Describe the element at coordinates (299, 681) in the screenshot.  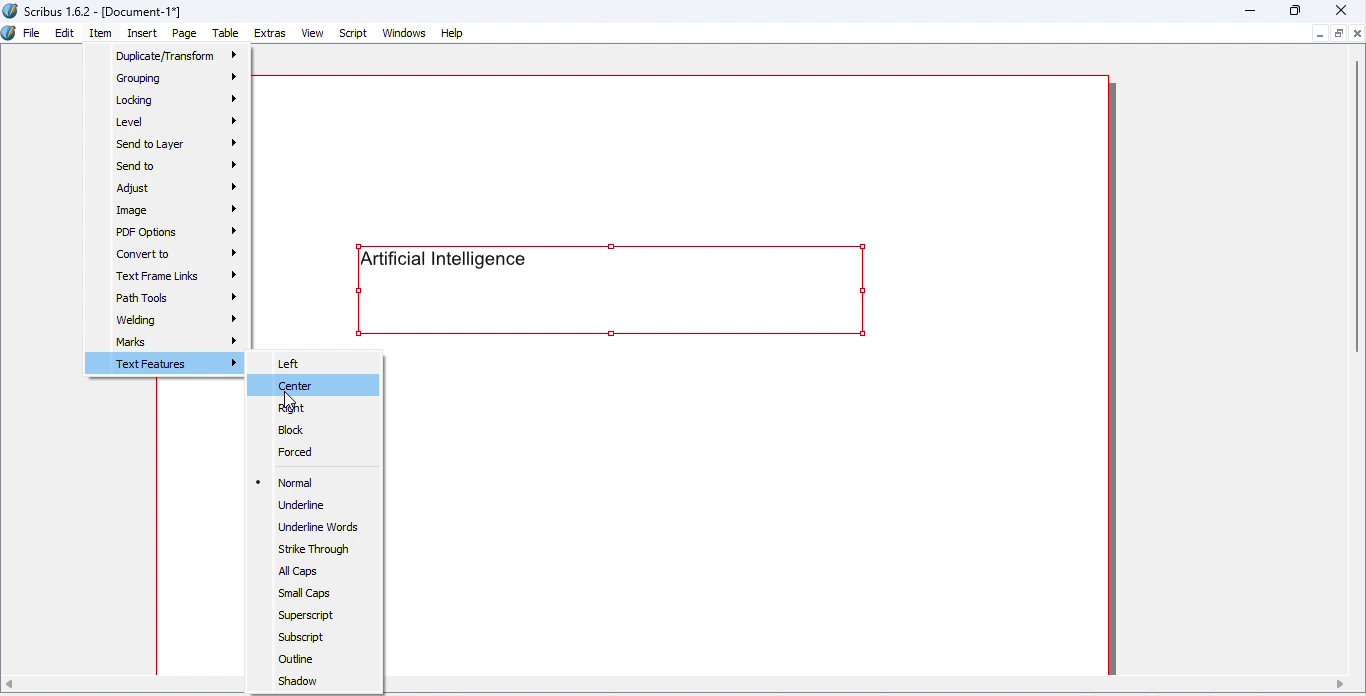
I see `Shadow` at that location.